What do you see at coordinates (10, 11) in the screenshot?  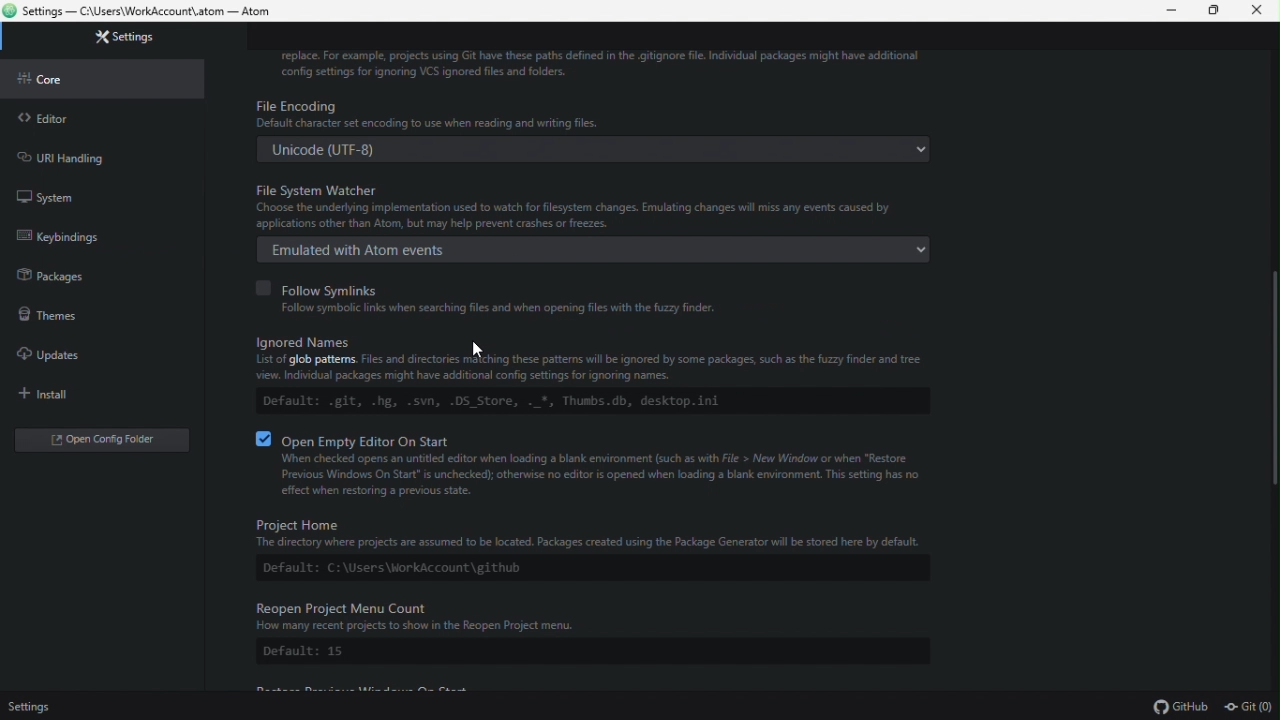 I see `atom logo` at bounding box center [10, 11].